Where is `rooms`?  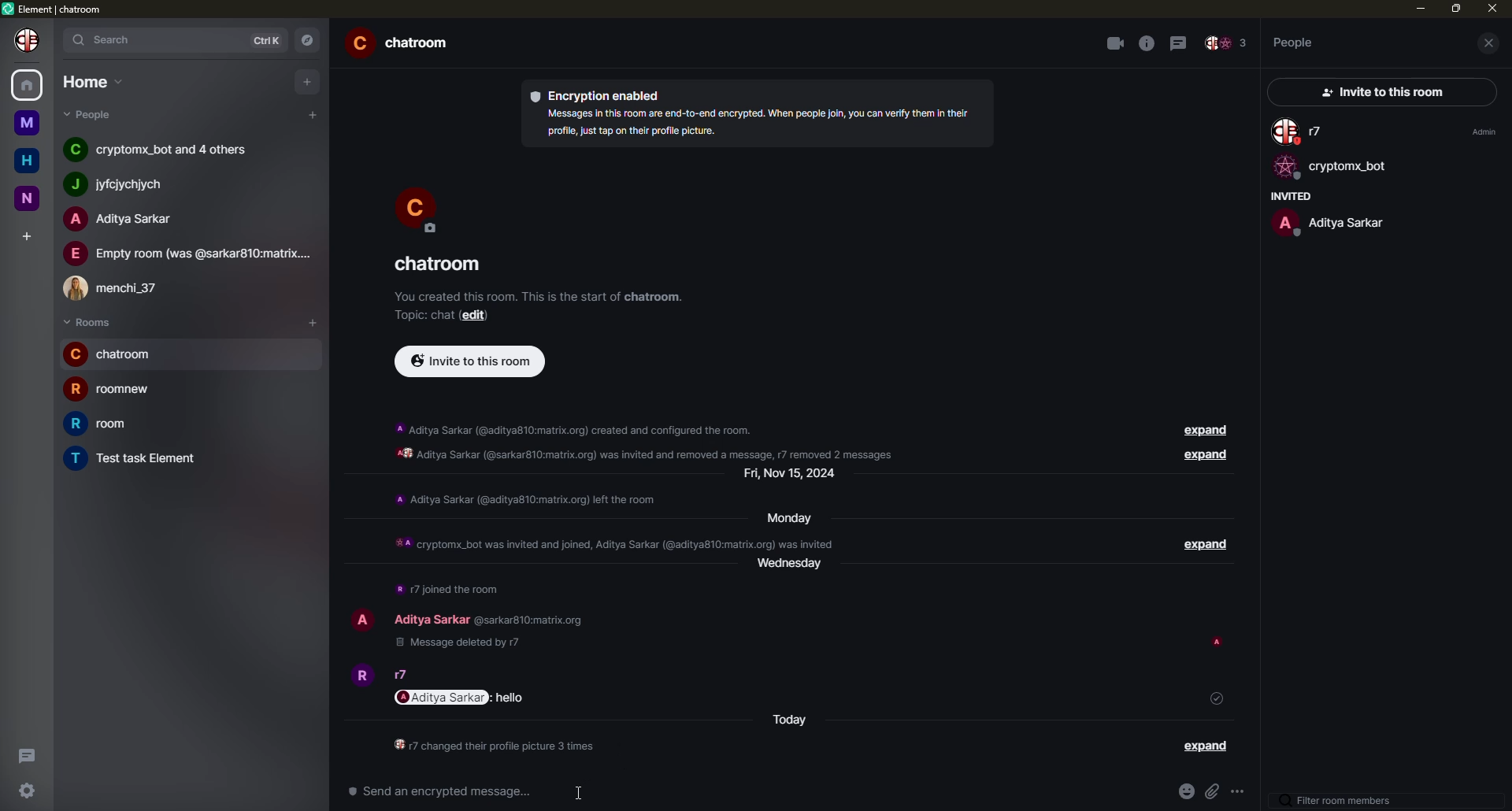 rooms is located at coordinates (88, 323).